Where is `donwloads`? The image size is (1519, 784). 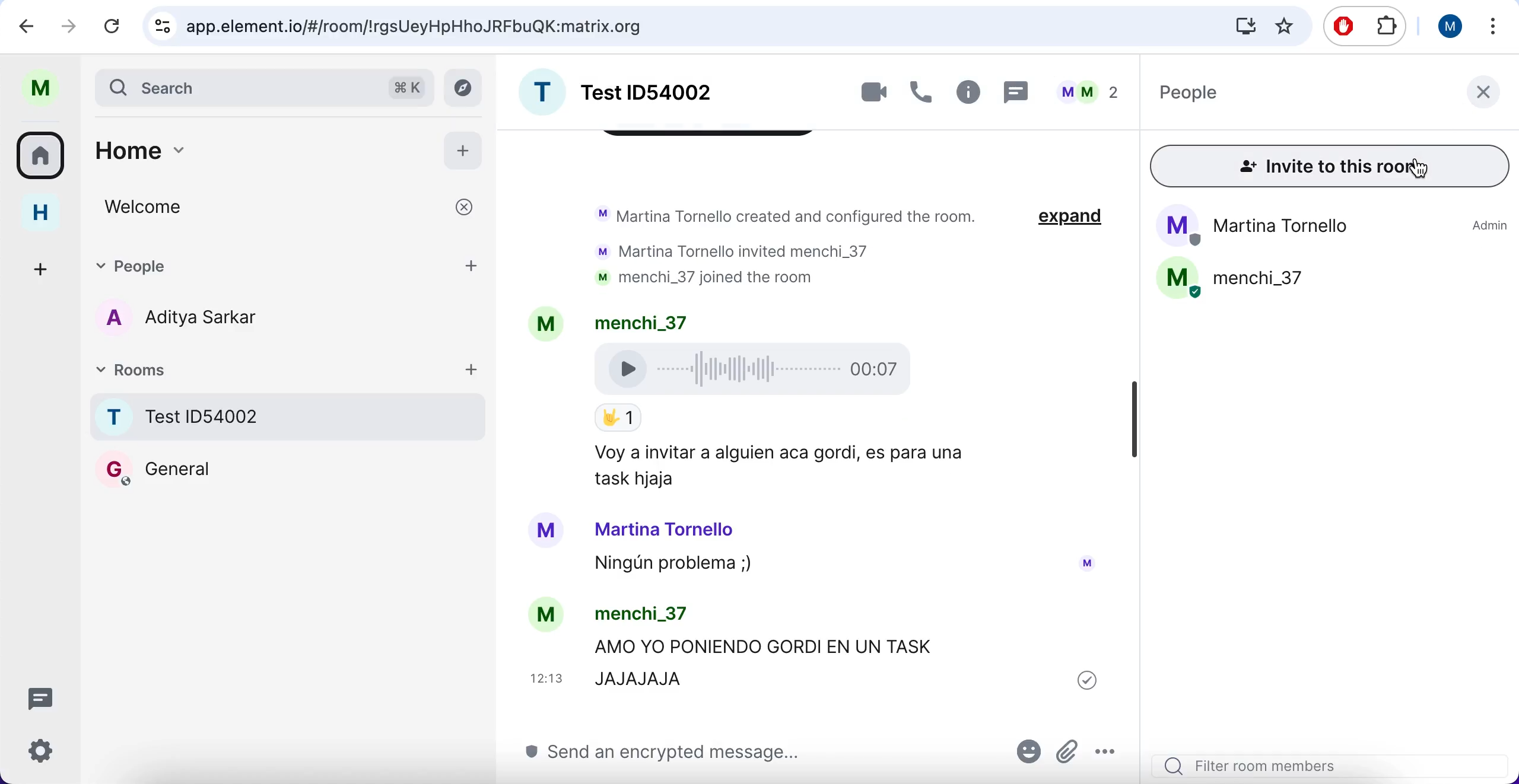 donwloads is located at coordinates (1242, 27).